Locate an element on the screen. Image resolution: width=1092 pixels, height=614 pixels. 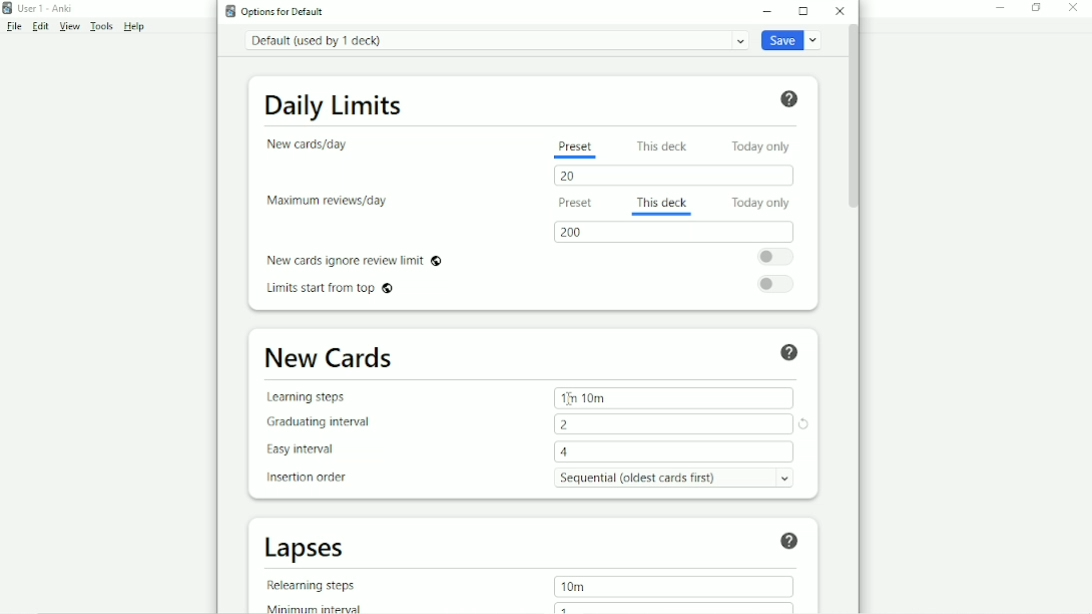
Today only is located at coordinates (760, 202).